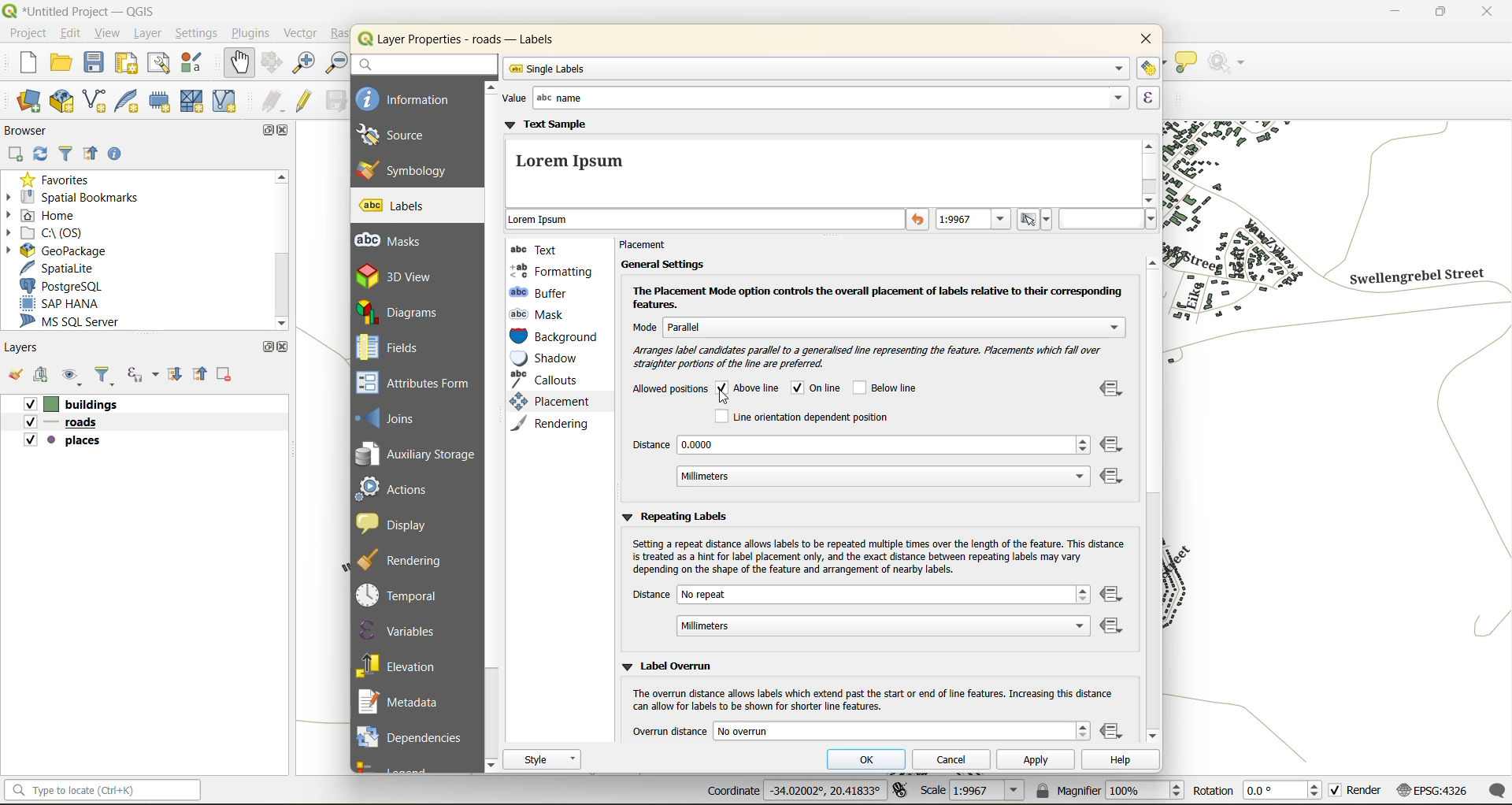  What do you see at coordinates (22, 63) in the screenshot?
I see `new` at bounding box center [22, 63].